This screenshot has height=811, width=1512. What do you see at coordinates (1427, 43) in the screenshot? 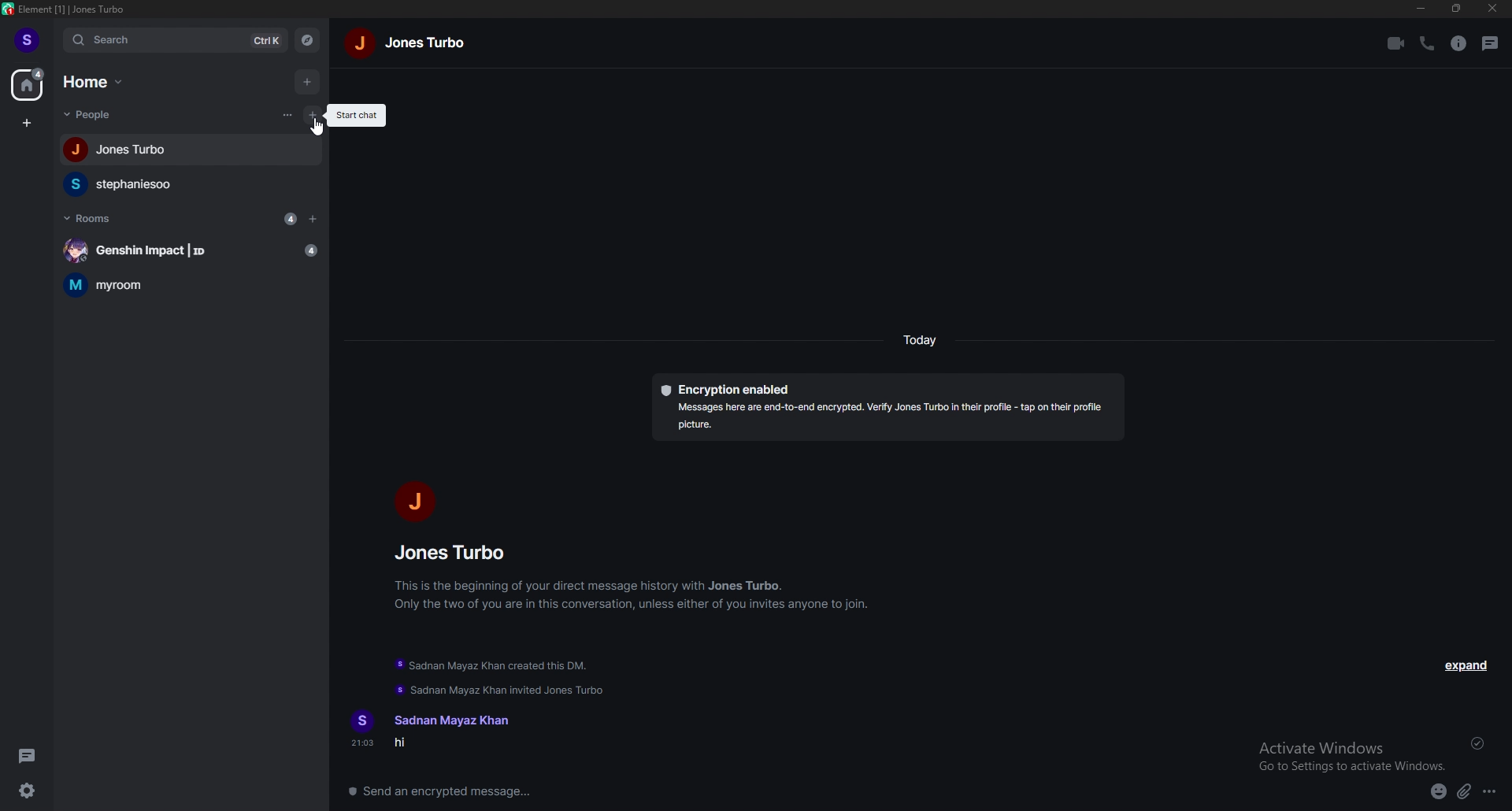
I see `call` at bounding box center [1427, 43].